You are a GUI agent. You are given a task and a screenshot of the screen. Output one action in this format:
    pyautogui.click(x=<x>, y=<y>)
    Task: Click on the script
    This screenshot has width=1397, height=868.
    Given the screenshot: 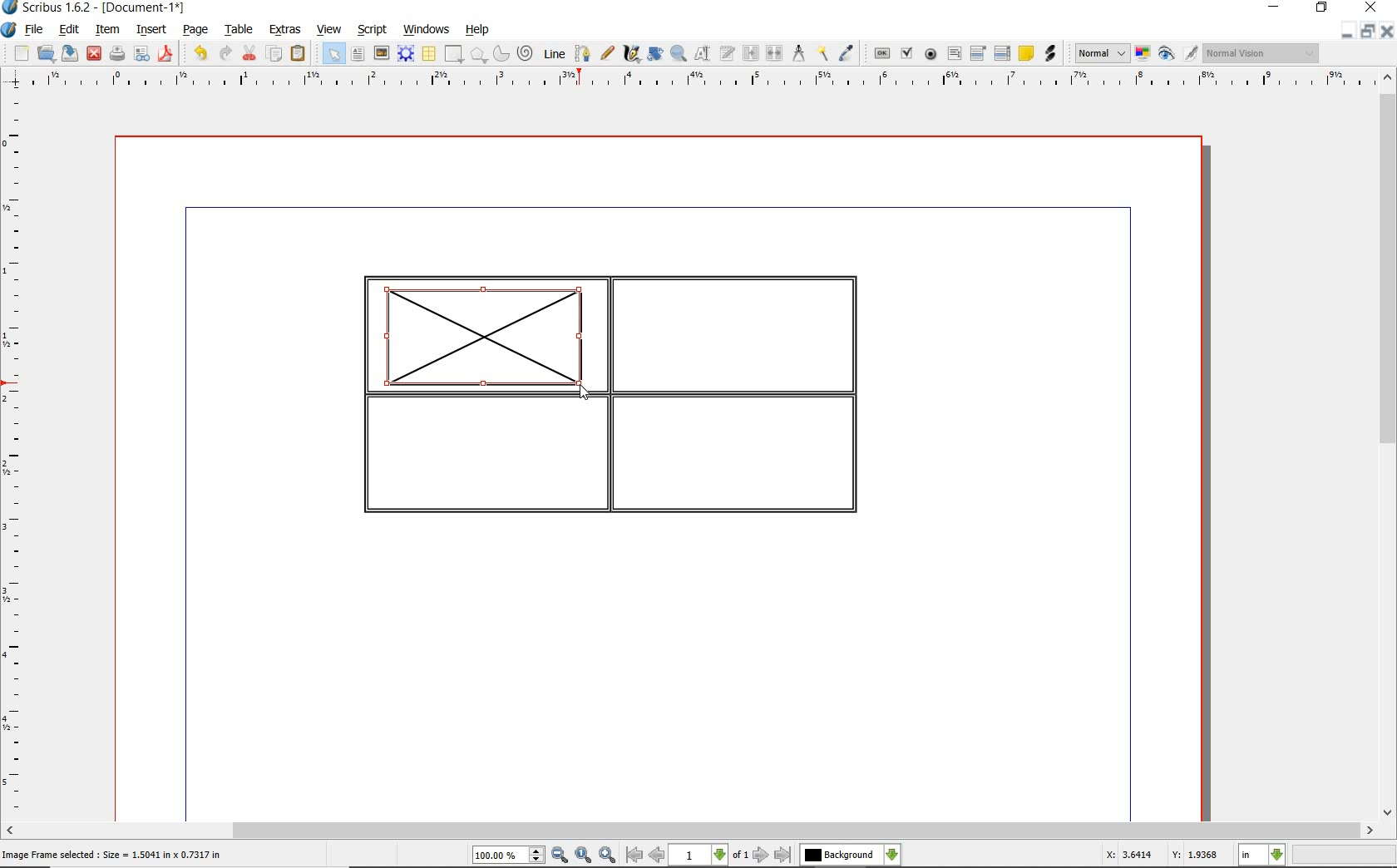 What is the action you would take?
    pyautogui.click(x=373, y=30)
    